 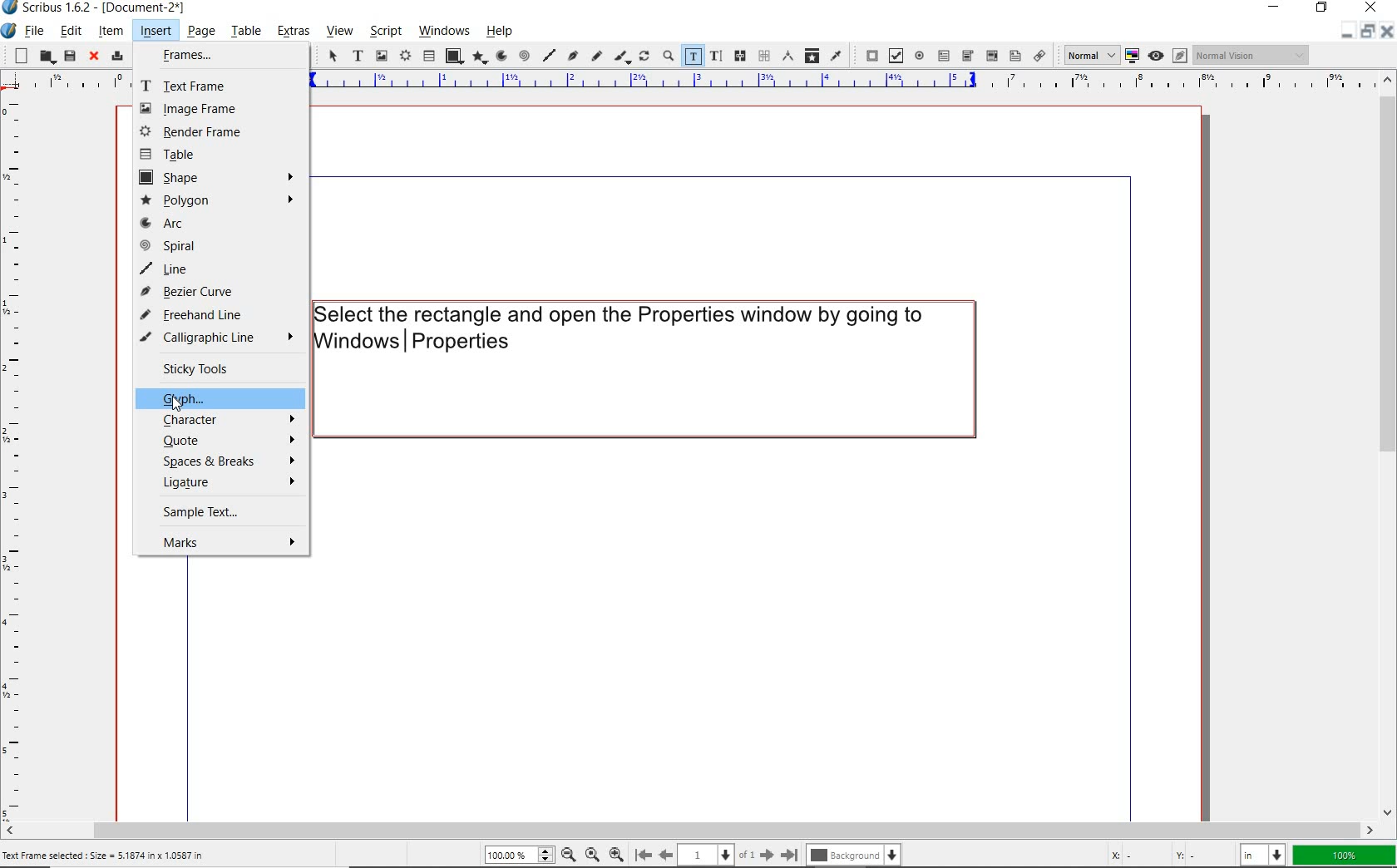 I want to click on pdf text field, so click(x=944, y=55).